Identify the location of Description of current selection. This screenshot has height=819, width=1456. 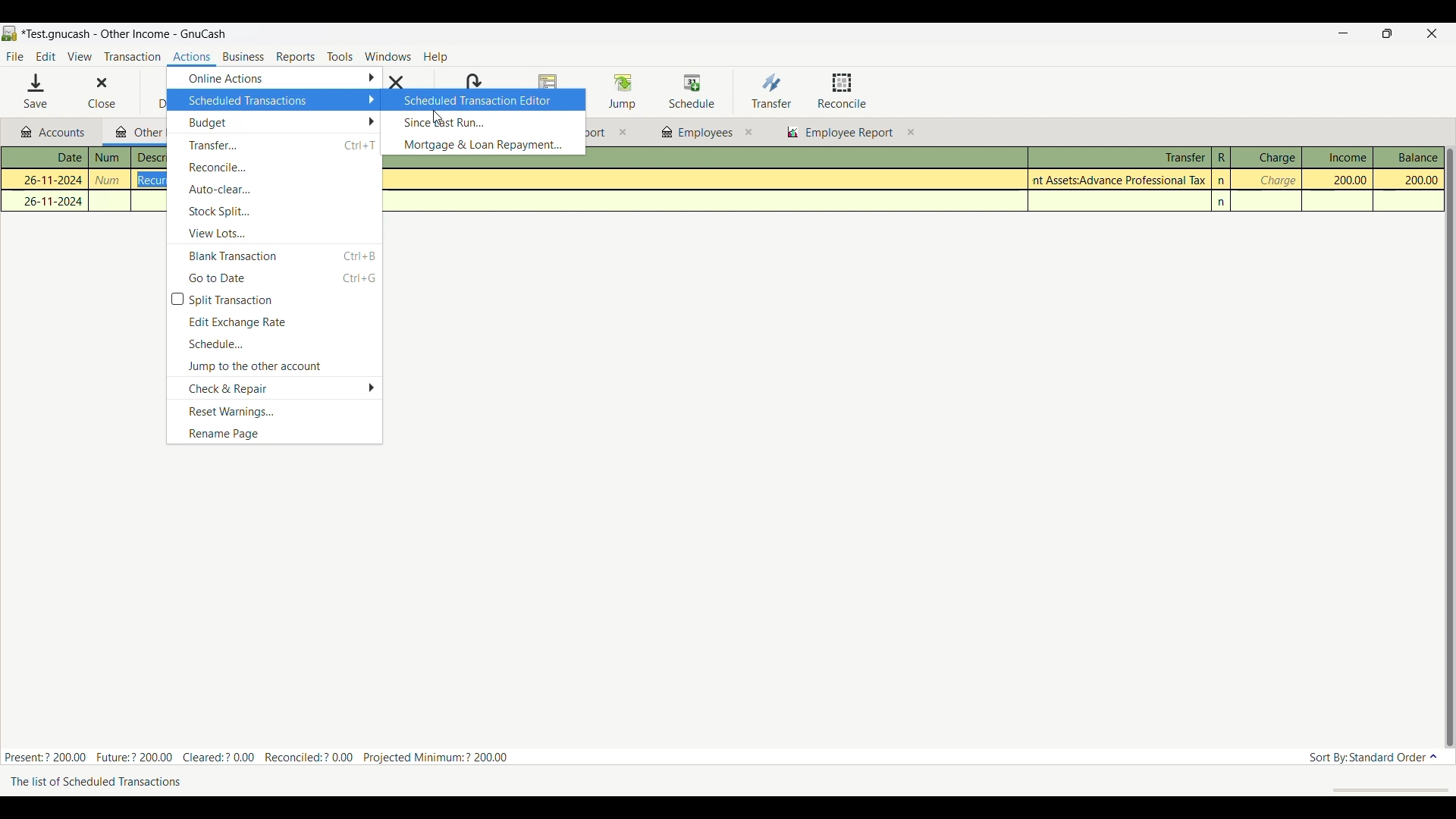
(106, 784).